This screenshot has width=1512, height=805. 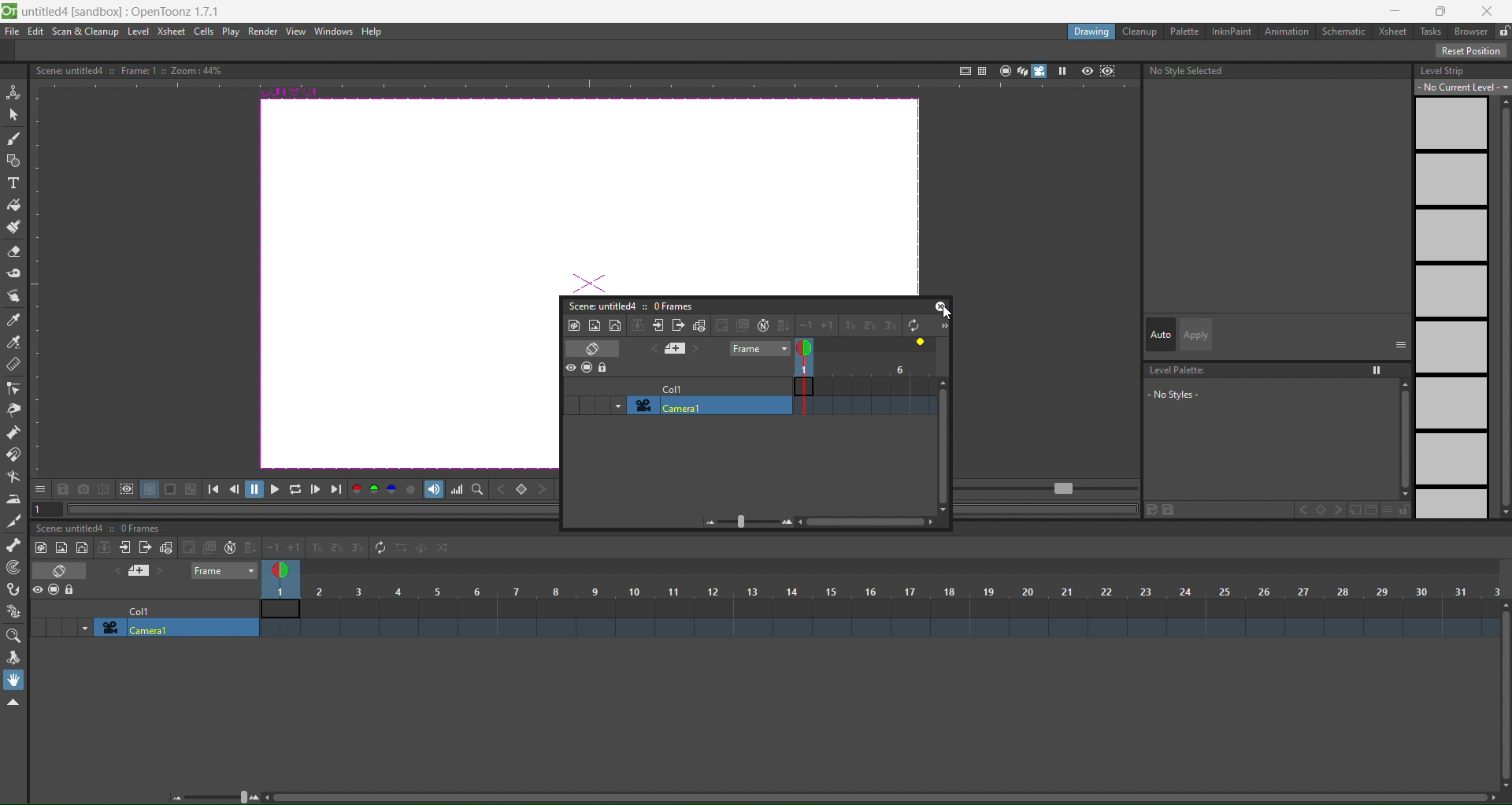 I want to click on new toonz raster level, so click(x=43, y=547).